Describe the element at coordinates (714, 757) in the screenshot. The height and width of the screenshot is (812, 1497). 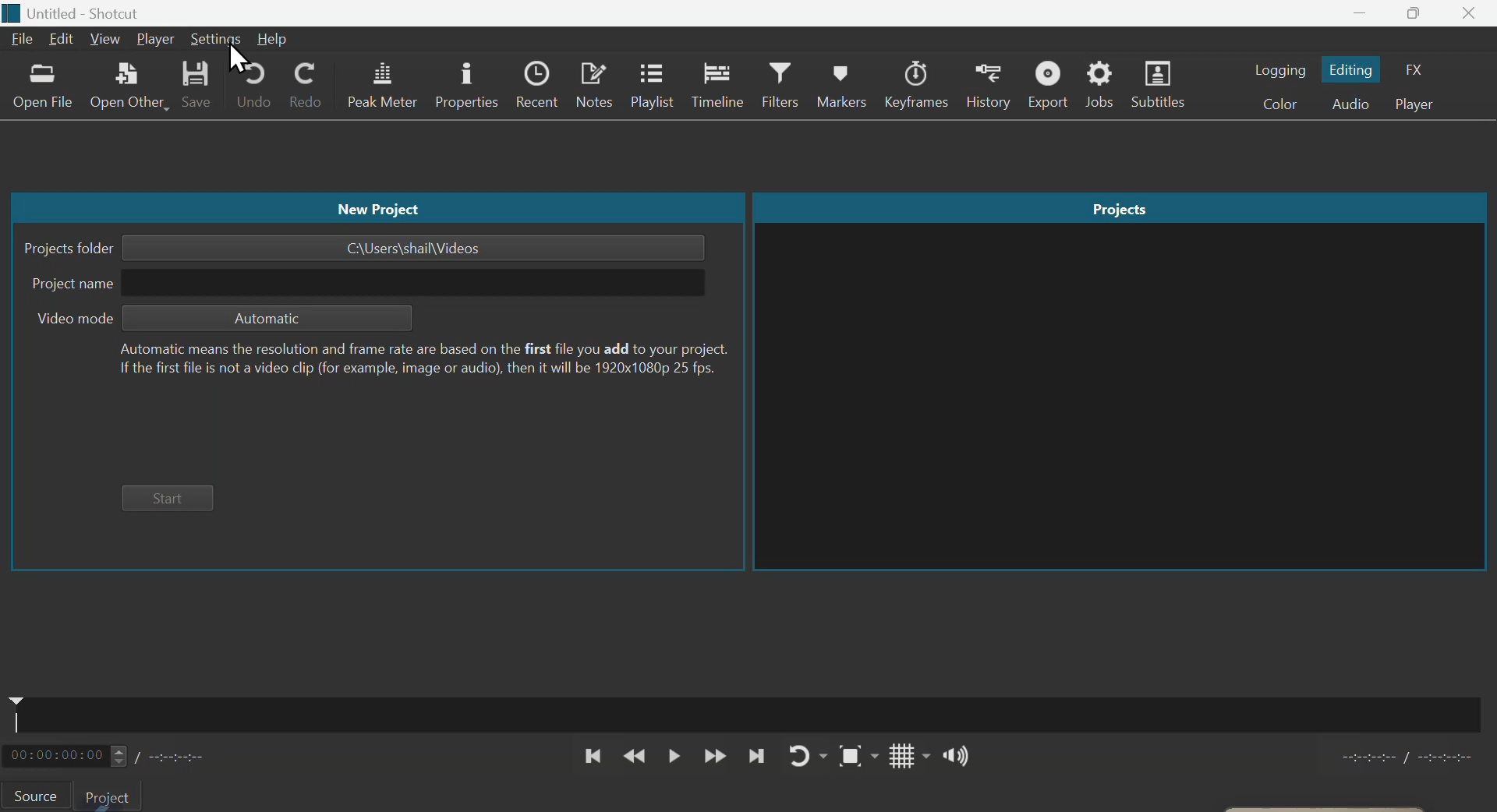
I see `Forward` at that location.